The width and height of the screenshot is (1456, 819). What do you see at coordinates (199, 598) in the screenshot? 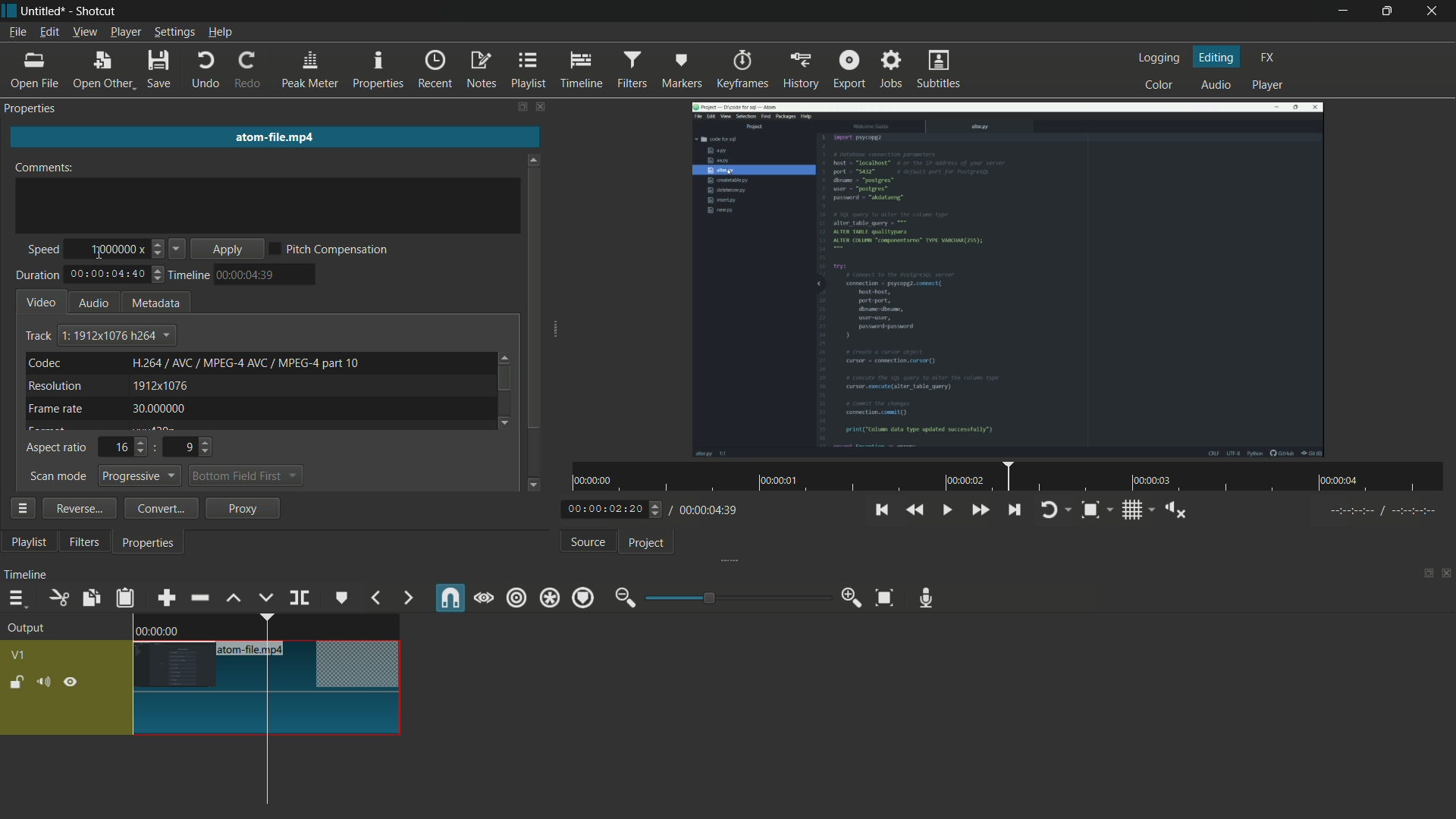
I see `ripple delete` at bounding box center [199, 598].